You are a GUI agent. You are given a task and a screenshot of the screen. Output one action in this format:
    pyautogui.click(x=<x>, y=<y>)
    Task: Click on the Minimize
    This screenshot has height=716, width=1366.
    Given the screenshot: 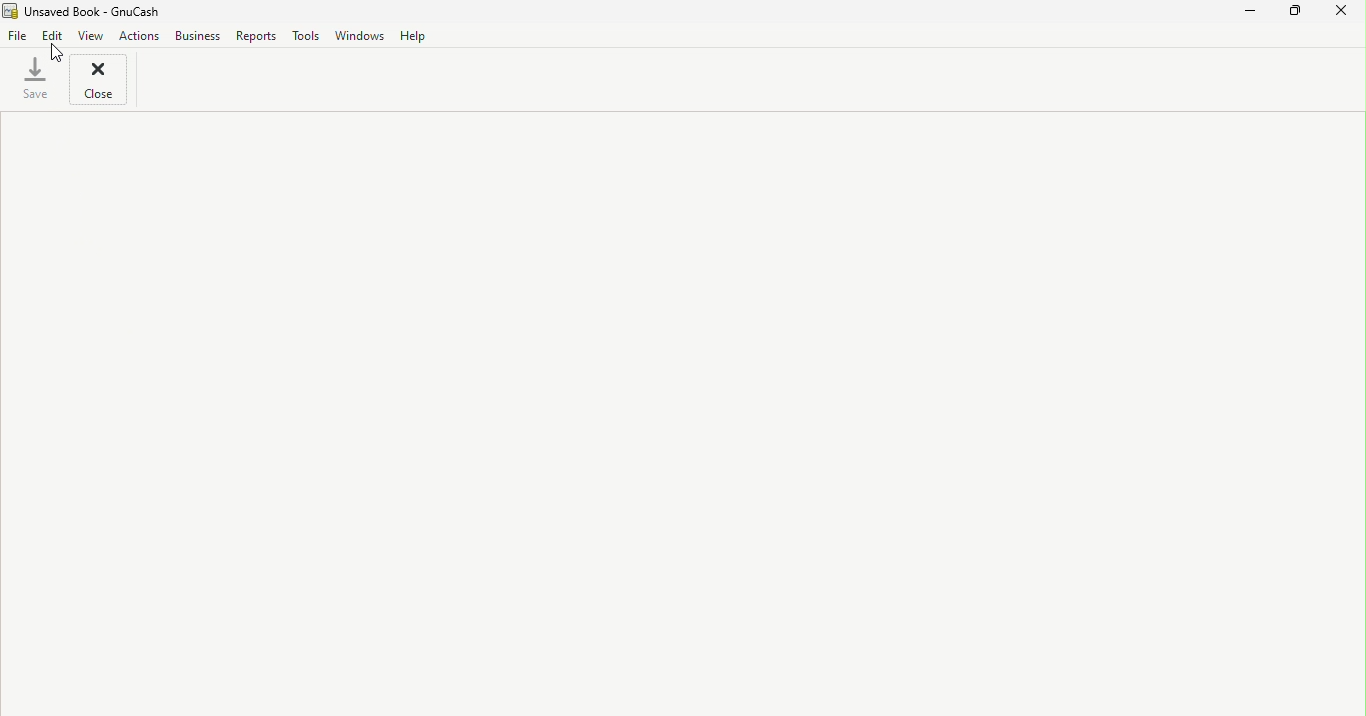 What is the action you would take?
    pyautogui.click(x=1252, y=13)
    